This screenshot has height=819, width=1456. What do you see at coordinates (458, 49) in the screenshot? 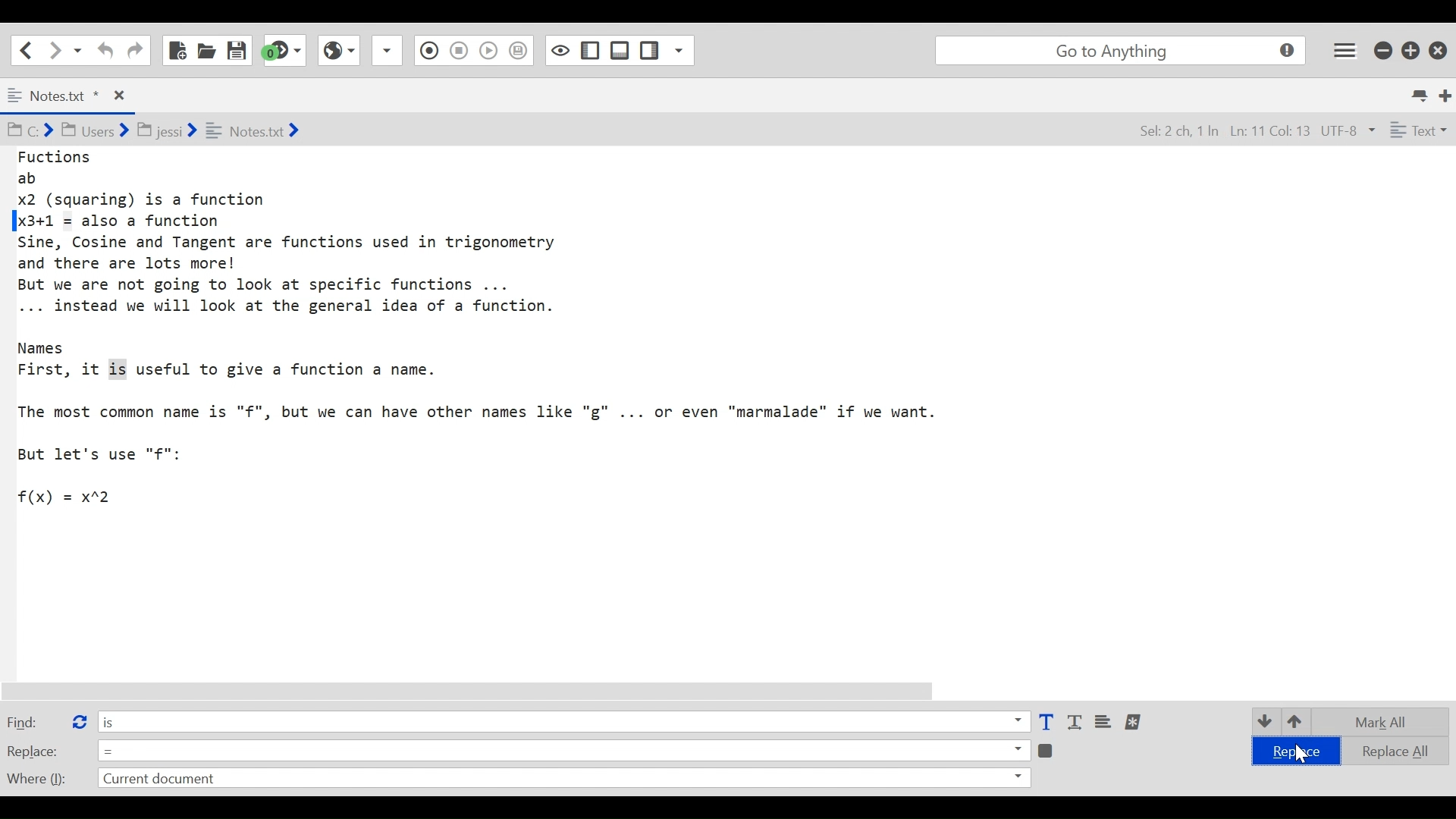
I see `View in Browser` at bounding box center [458, 49].